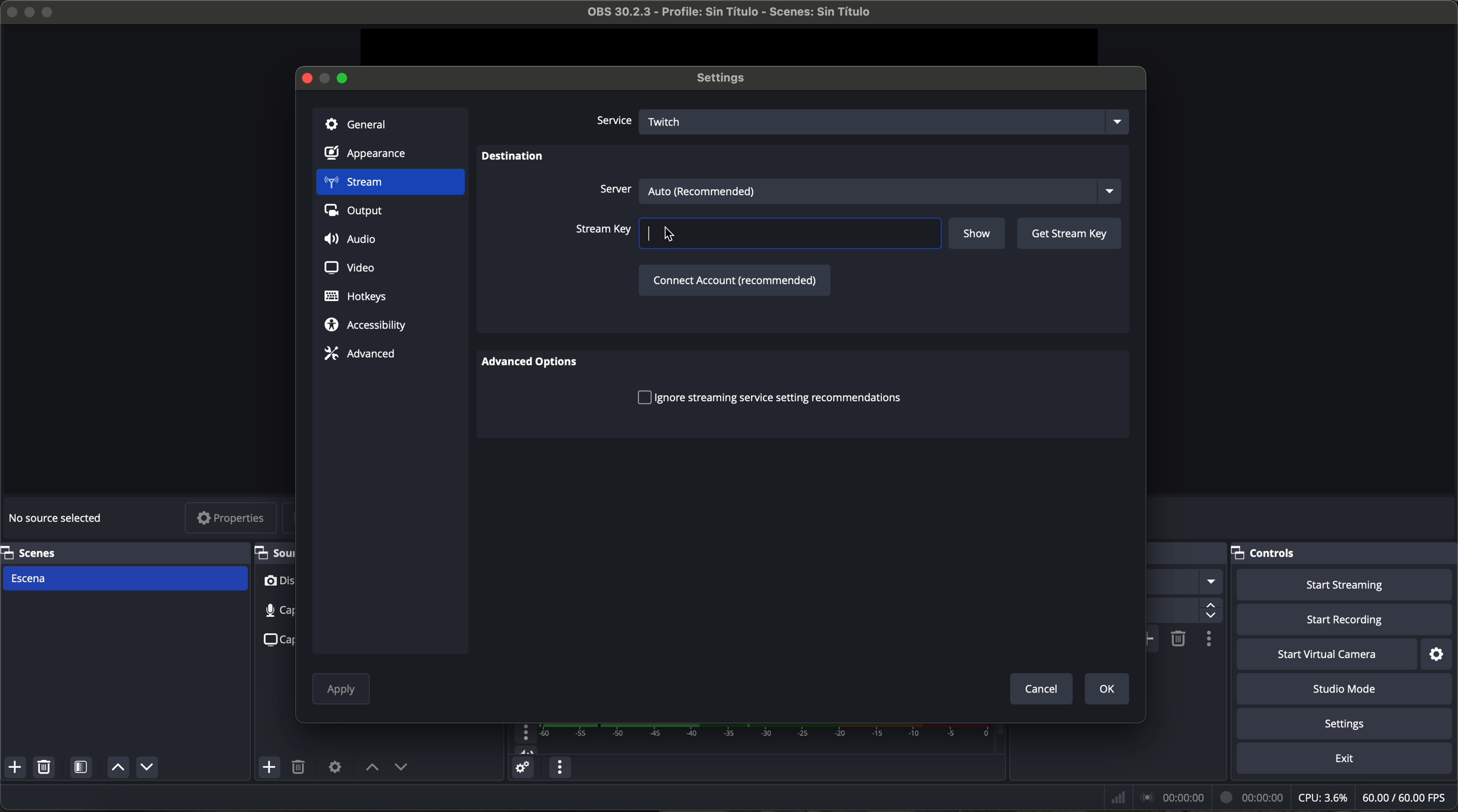 The image size is (1458, 812). I want to click on audio input capture, so click(271, 611).